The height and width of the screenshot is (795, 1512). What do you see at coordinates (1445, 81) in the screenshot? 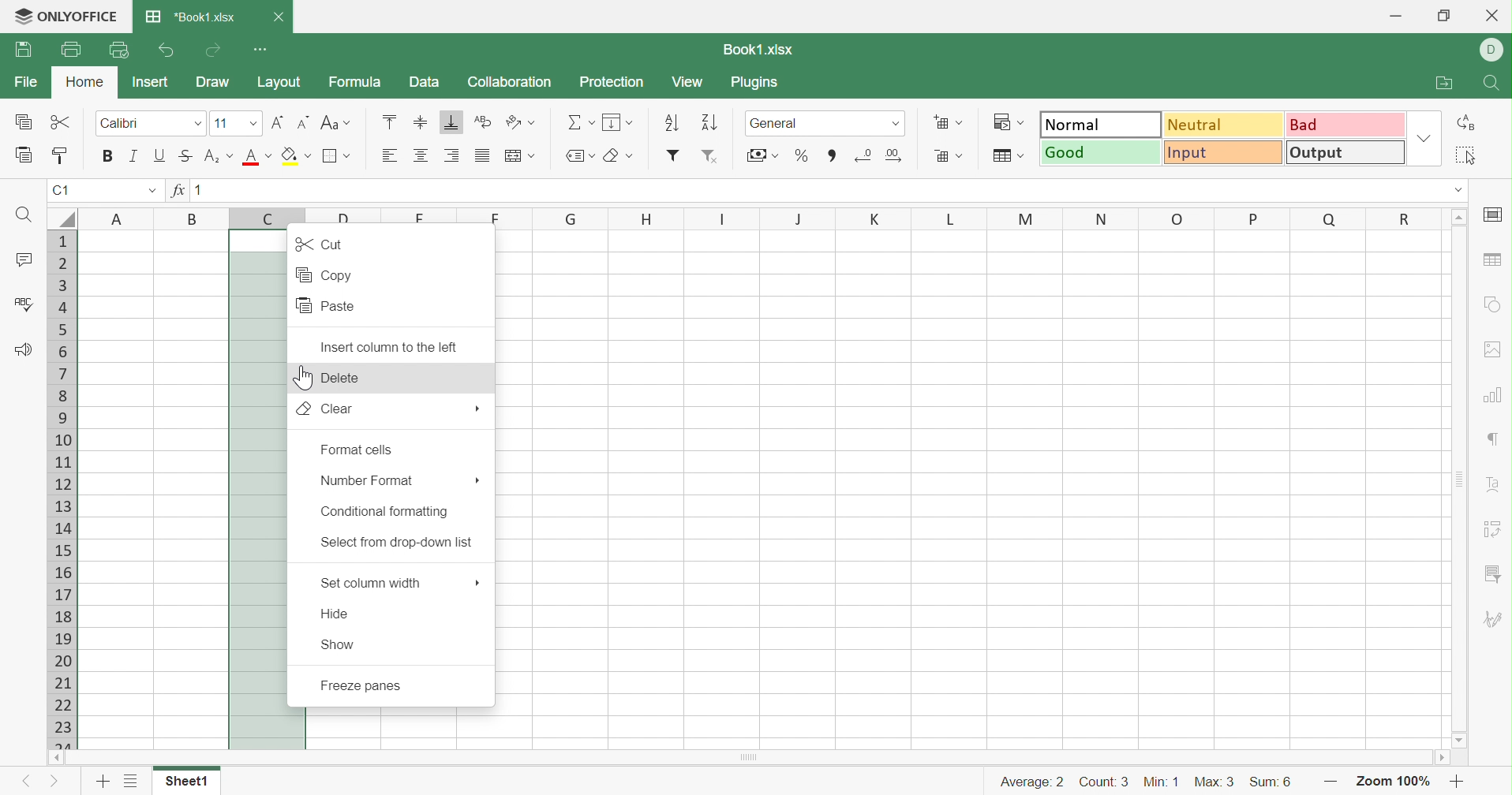
I see `Open file location` at bounding box center [1445, 81].